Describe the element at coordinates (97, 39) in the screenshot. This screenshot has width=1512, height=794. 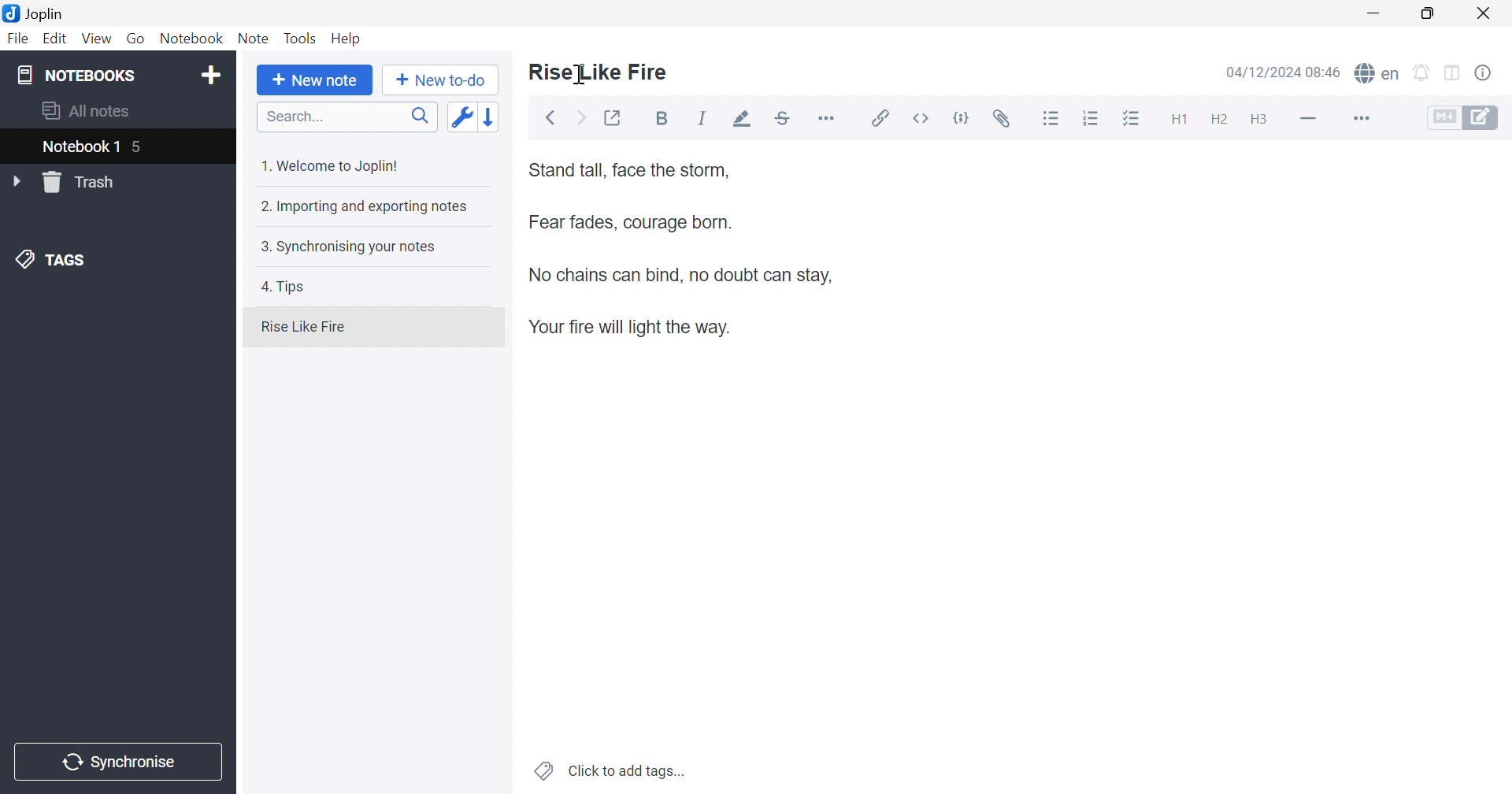
I see `View` at that location.